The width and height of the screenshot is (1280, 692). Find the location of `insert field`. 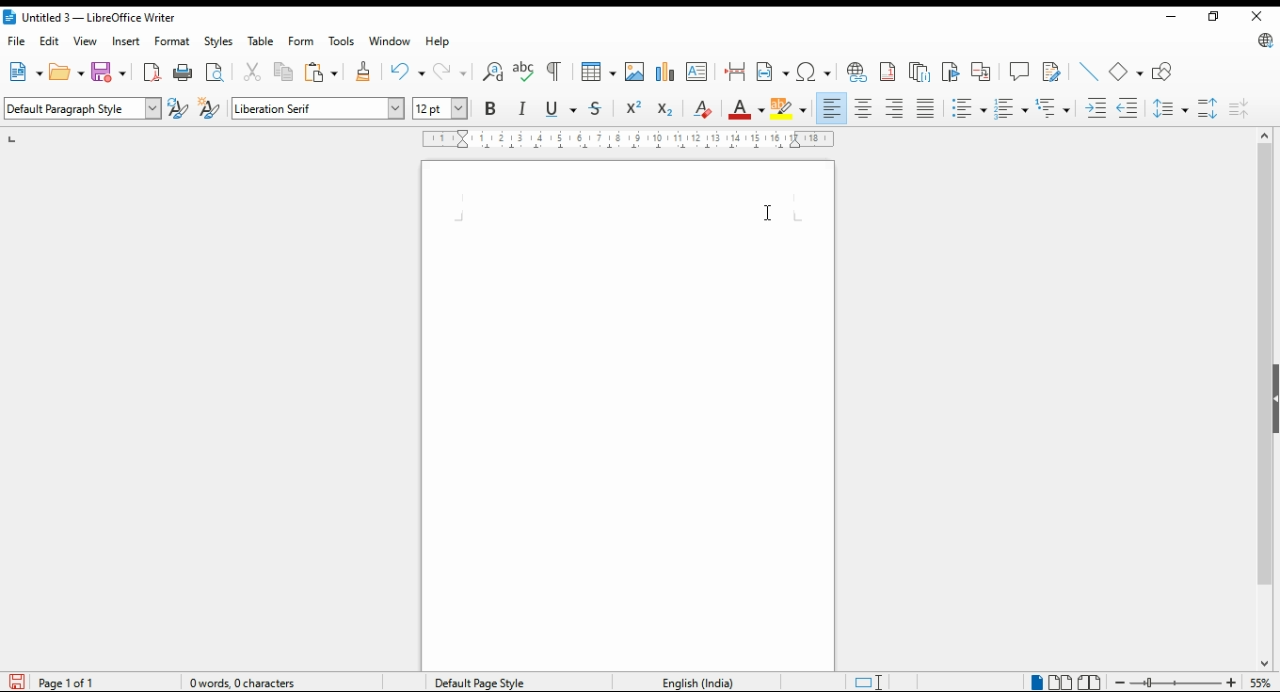

insert field is located at coordinates (773, 71).